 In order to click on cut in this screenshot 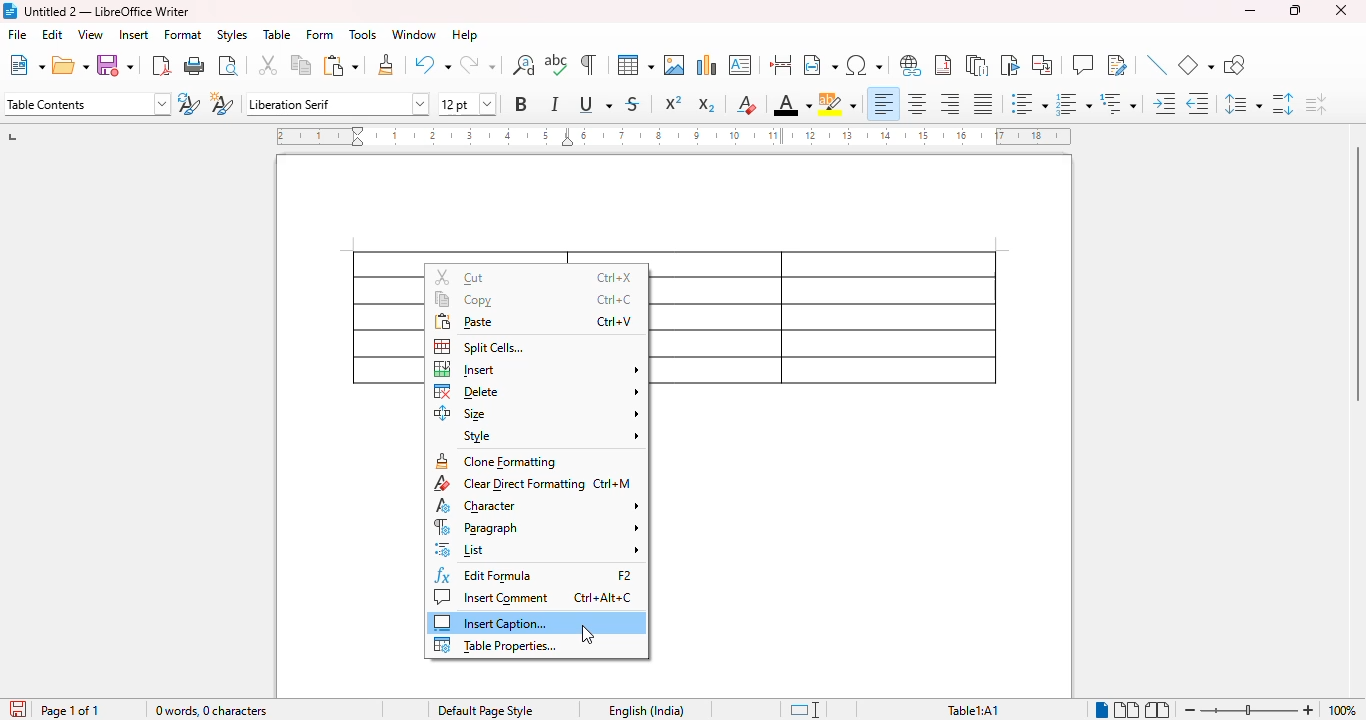, I will do `click(268, 64)`.